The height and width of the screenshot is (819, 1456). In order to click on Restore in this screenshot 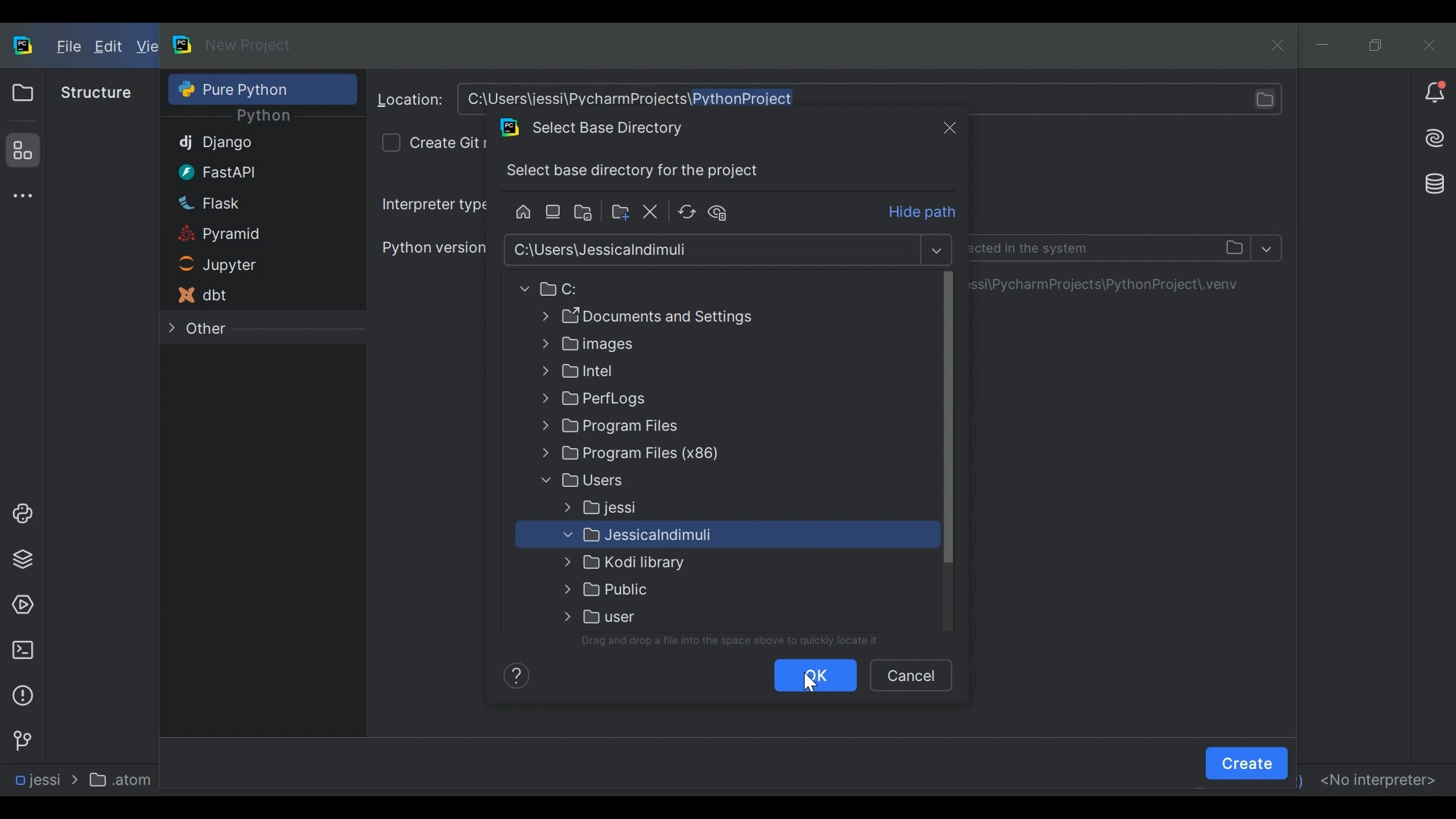, I will do `click(1376, 45)`.